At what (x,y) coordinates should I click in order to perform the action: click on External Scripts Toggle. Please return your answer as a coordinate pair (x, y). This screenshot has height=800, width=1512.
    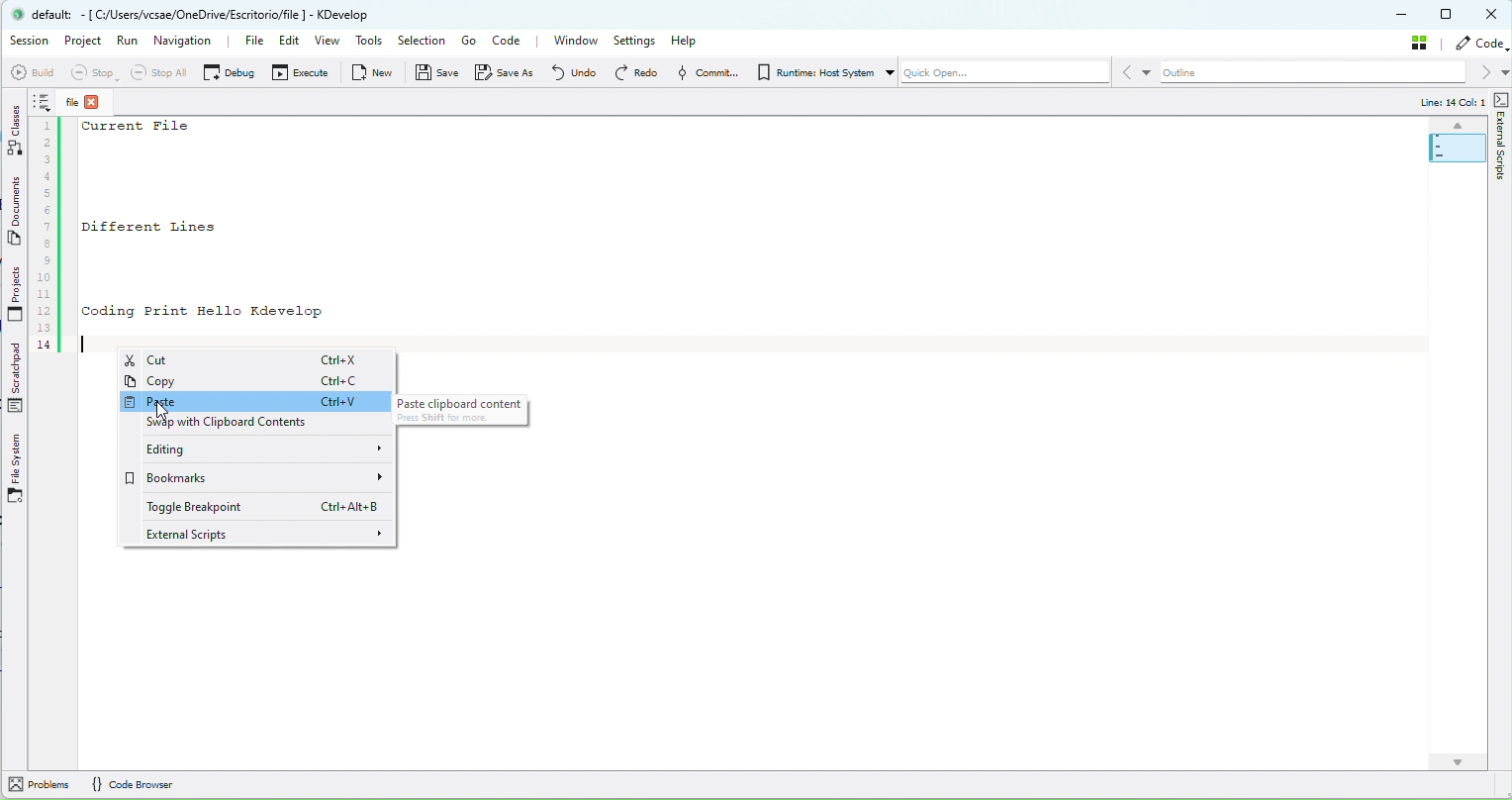
    Looking at the image, I should click on (1502, 99).